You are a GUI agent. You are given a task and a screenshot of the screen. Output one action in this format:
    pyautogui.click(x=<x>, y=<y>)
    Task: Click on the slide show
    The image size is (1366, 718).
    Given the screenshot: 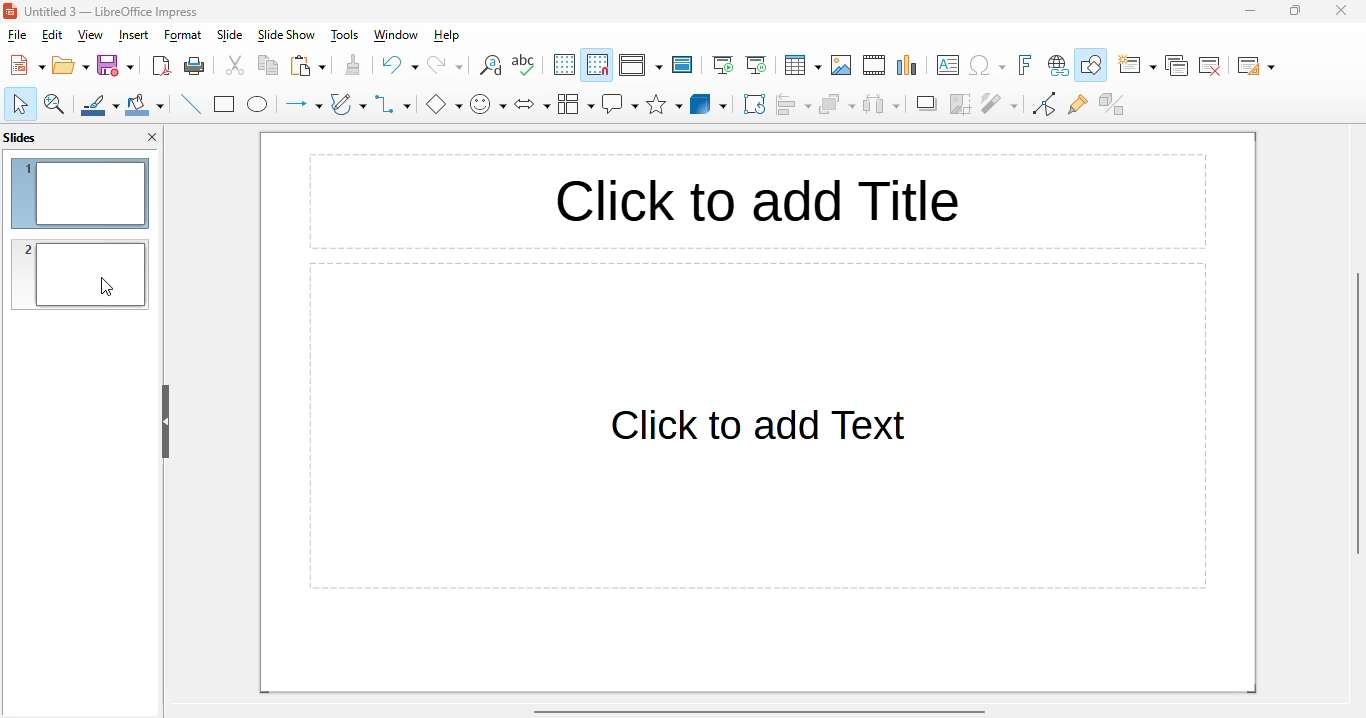 What is the action you would take?
    pyautogui.click(x=285, y=36)
    